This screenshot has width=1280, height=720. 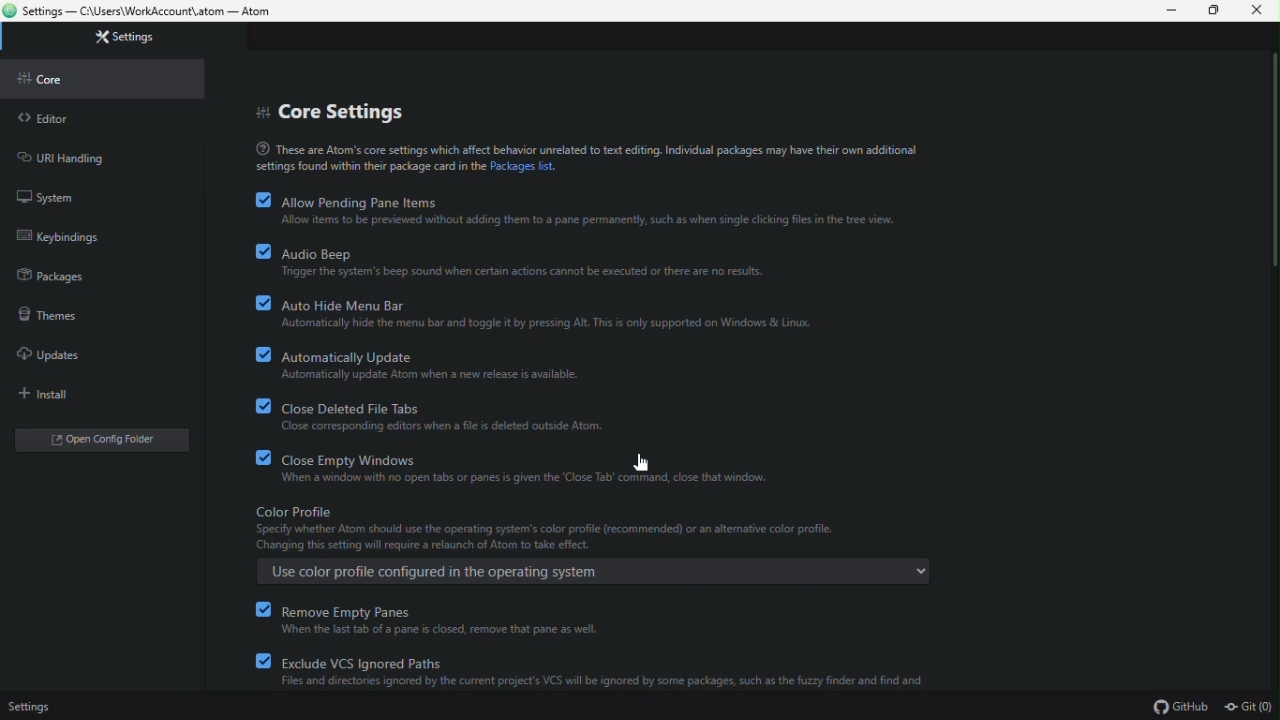 I want to click on Close empty Windows, so click(x=611, y=470).